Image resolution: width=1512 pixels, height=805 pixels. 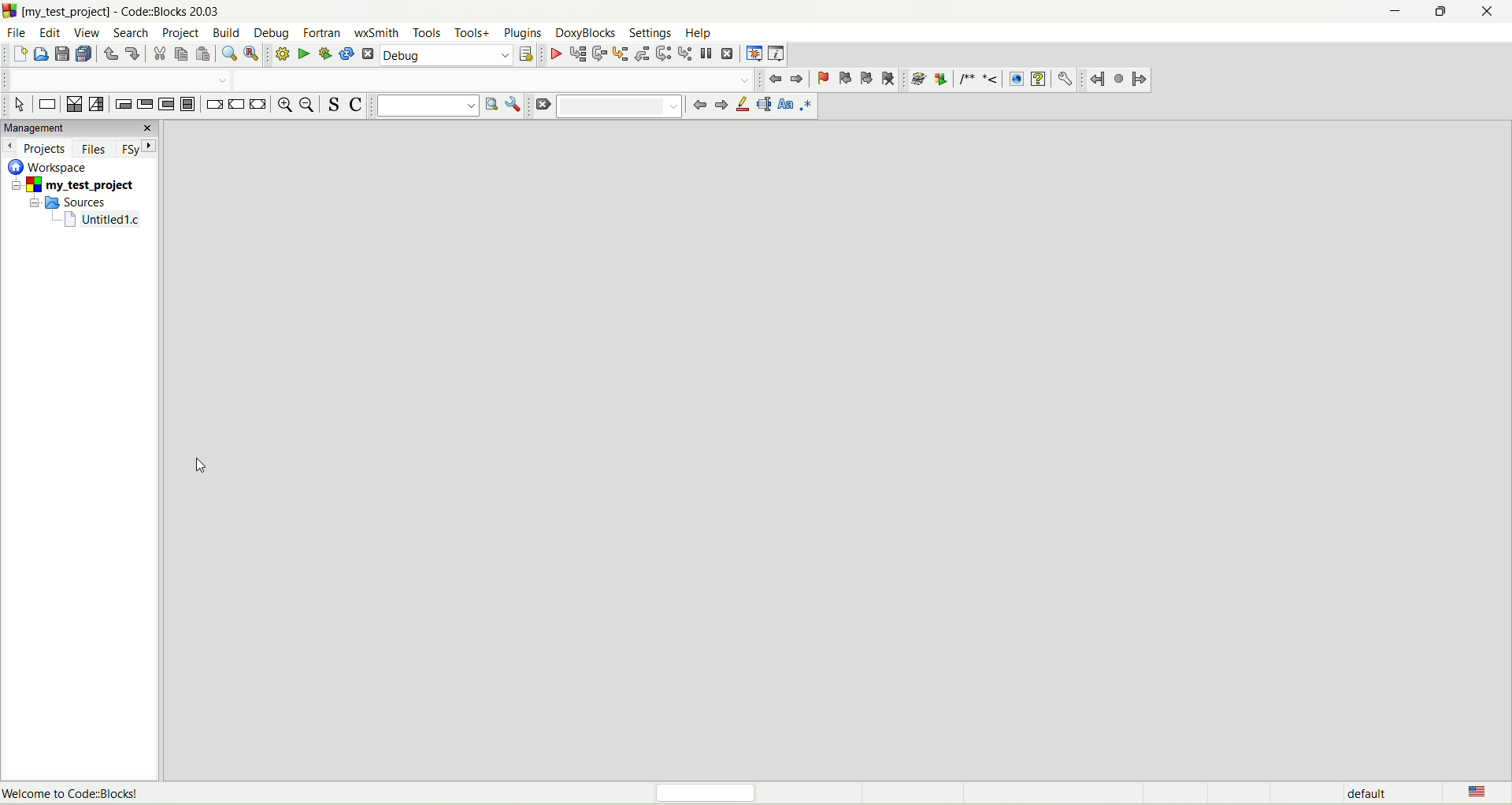 What do you see at coordinates (754, 53) in the screenshot?
I see `debugging` at bounding box center [754, 53].